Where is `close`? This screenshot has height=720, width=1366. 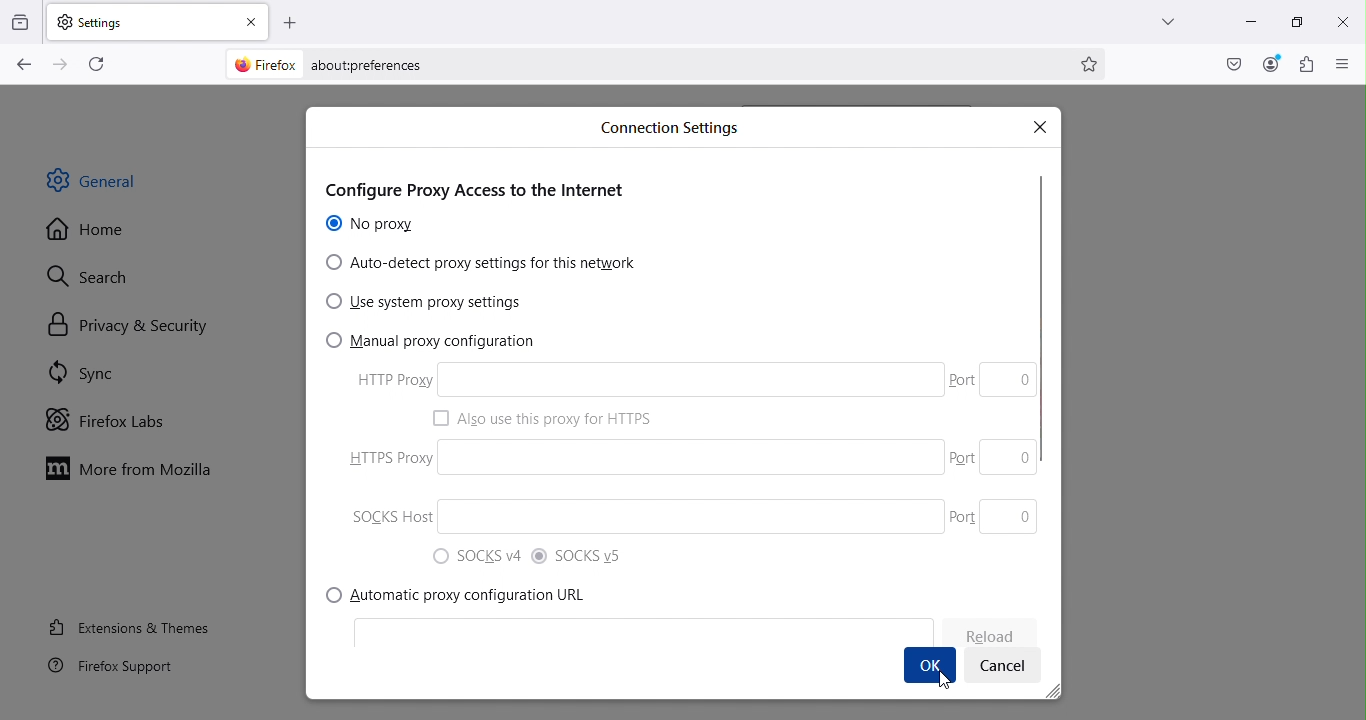 close is located at coordinates (252, 19).